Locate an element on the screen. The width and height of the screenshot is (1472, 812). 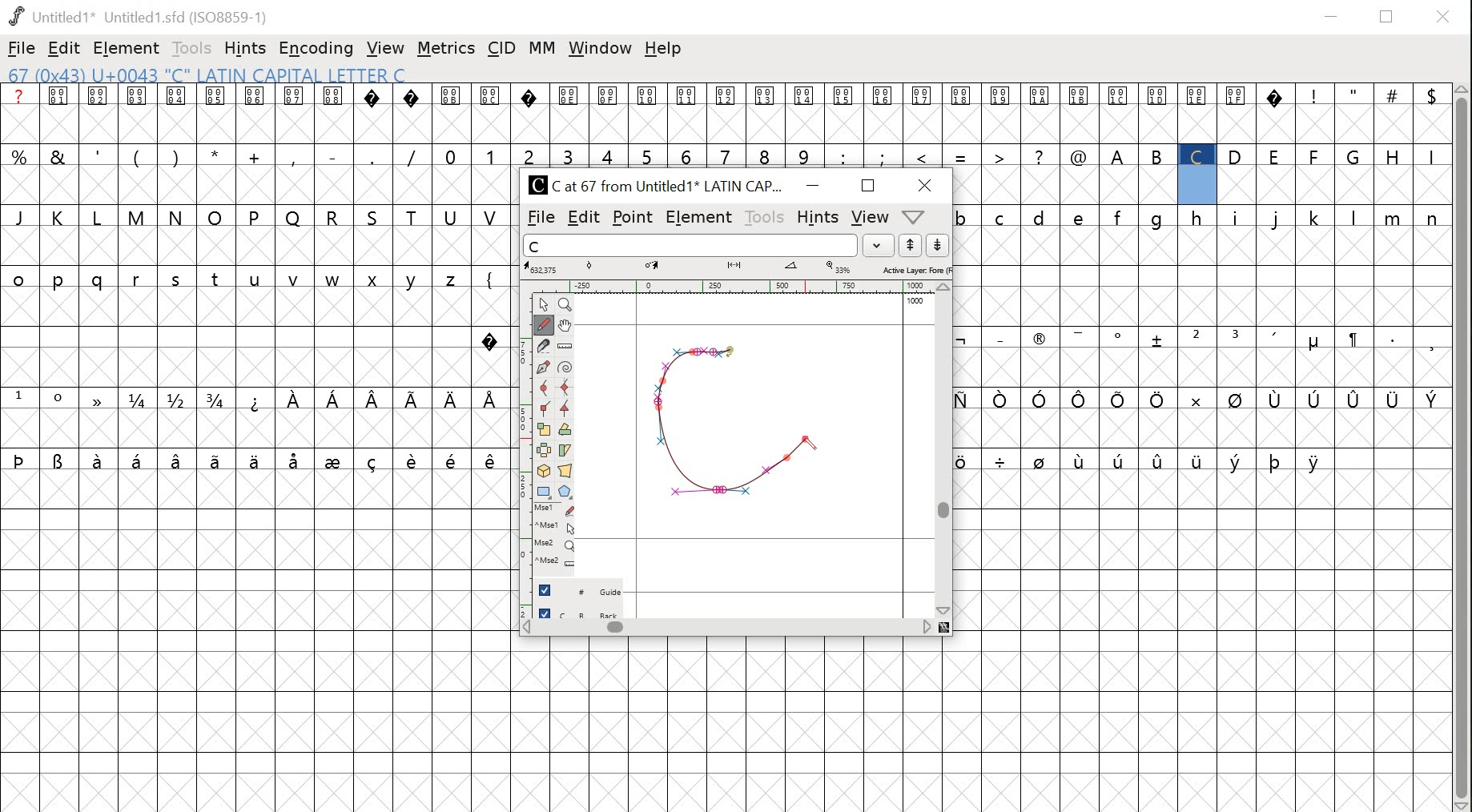
back layer is located at coordinates (581, 611).